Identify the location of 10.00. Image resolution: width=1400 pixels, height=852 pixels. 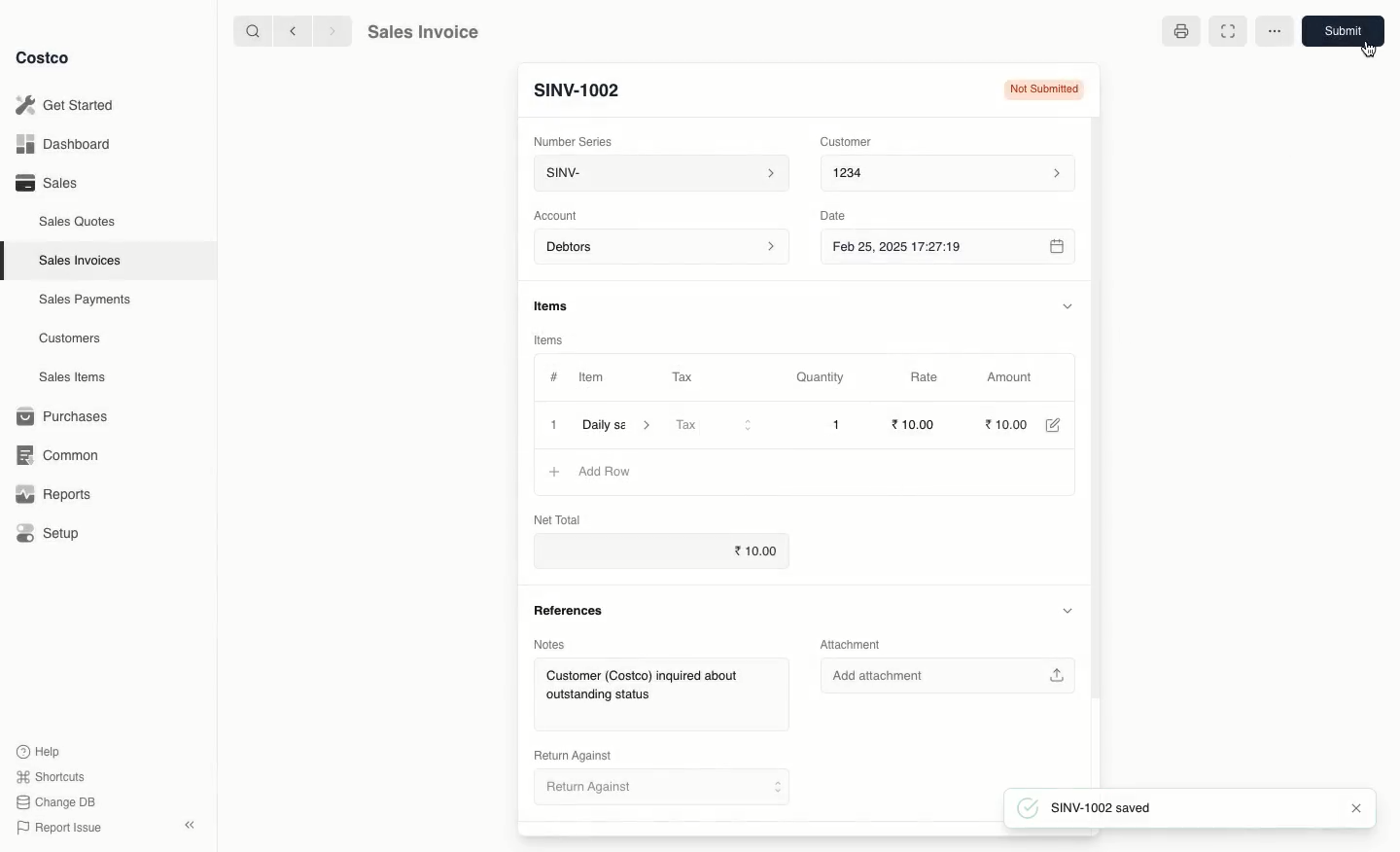
(750, 552).